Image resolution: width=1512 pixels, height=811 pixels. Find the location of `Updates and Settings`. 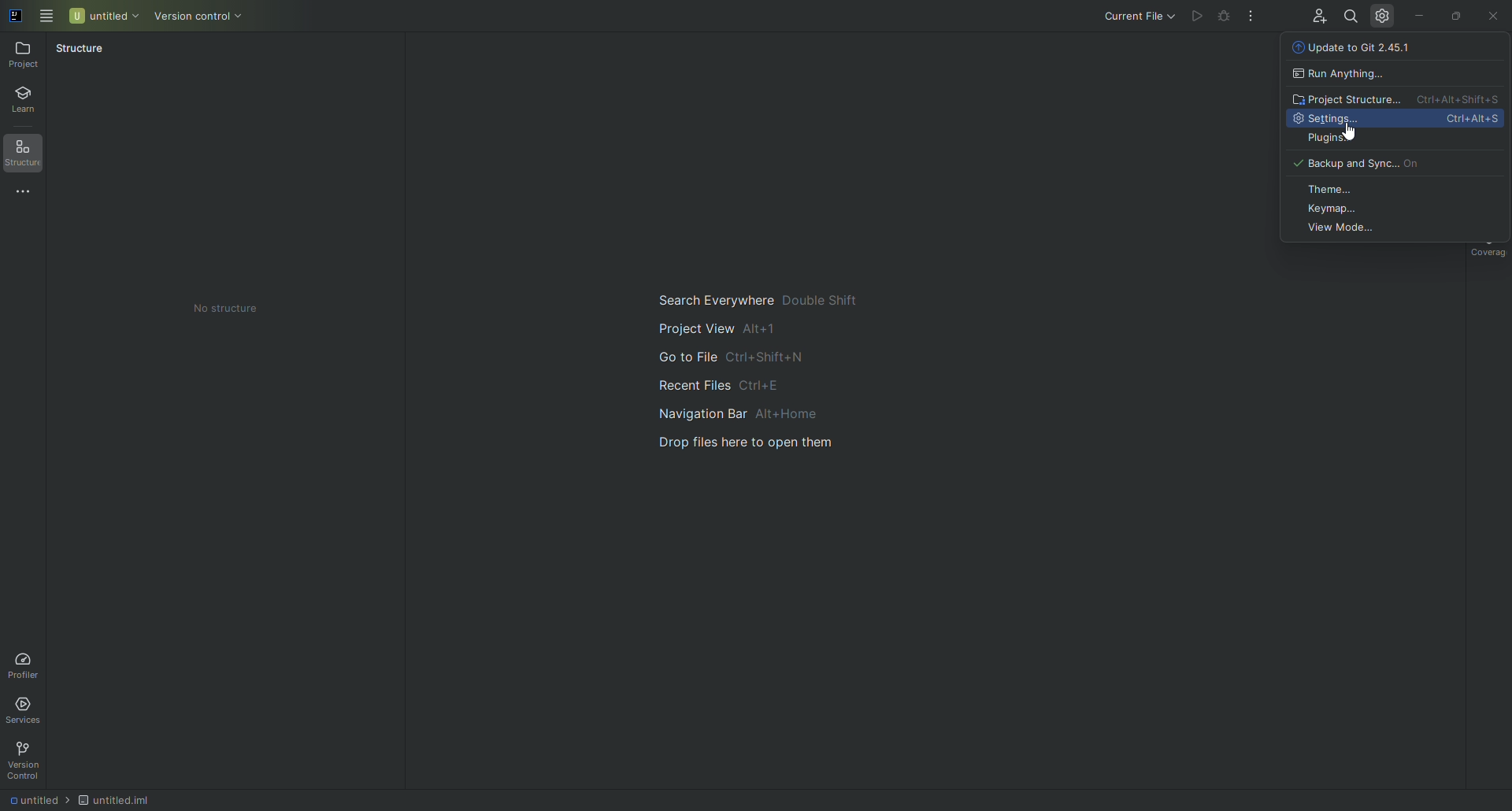

Updates and Settings is located at coordinates (1380, 15).